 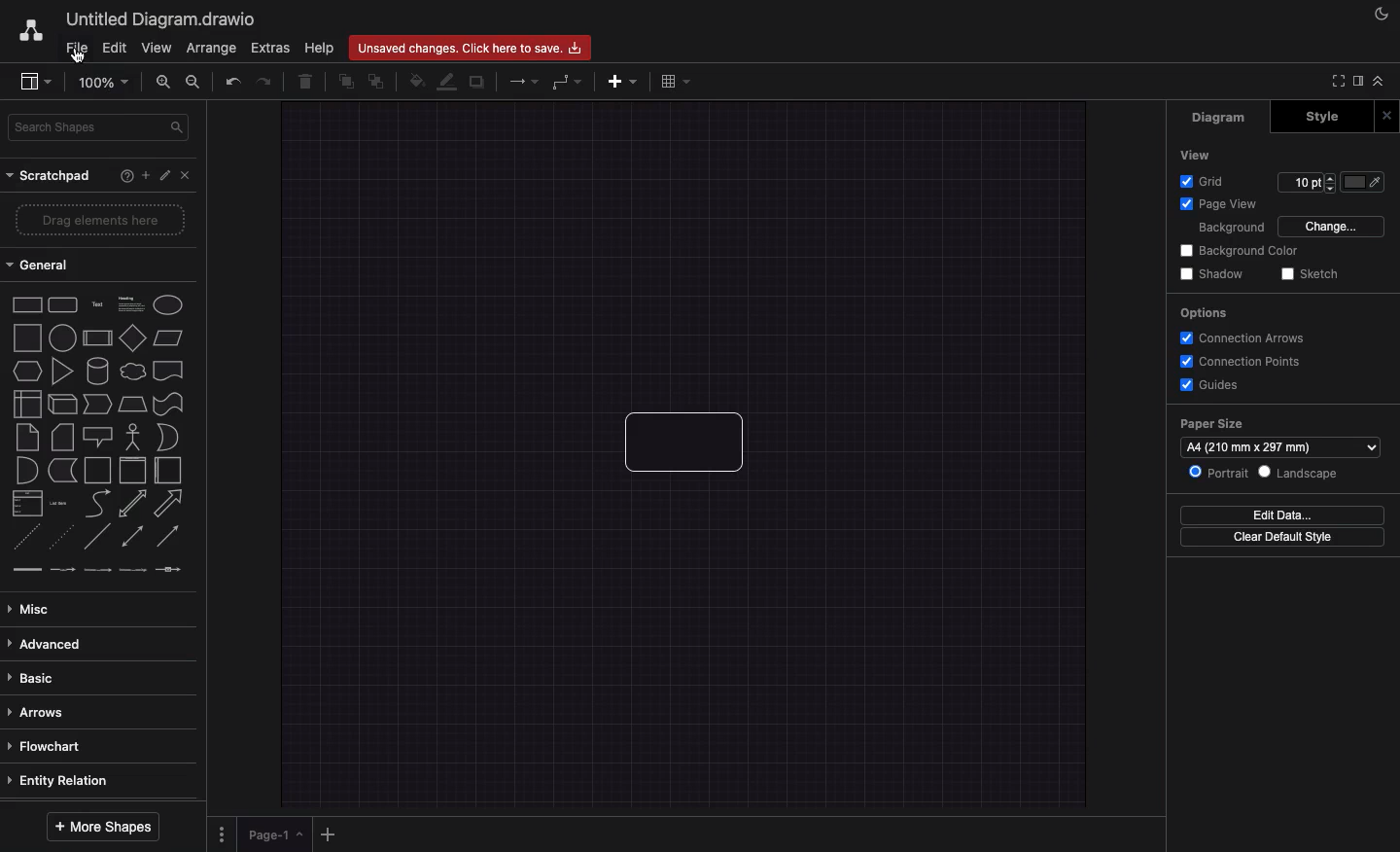 What do you see at coordinates (165, 20) in the screenshot?
I see `Untitled diagram.draw.io` at bounding box center [165, 20].